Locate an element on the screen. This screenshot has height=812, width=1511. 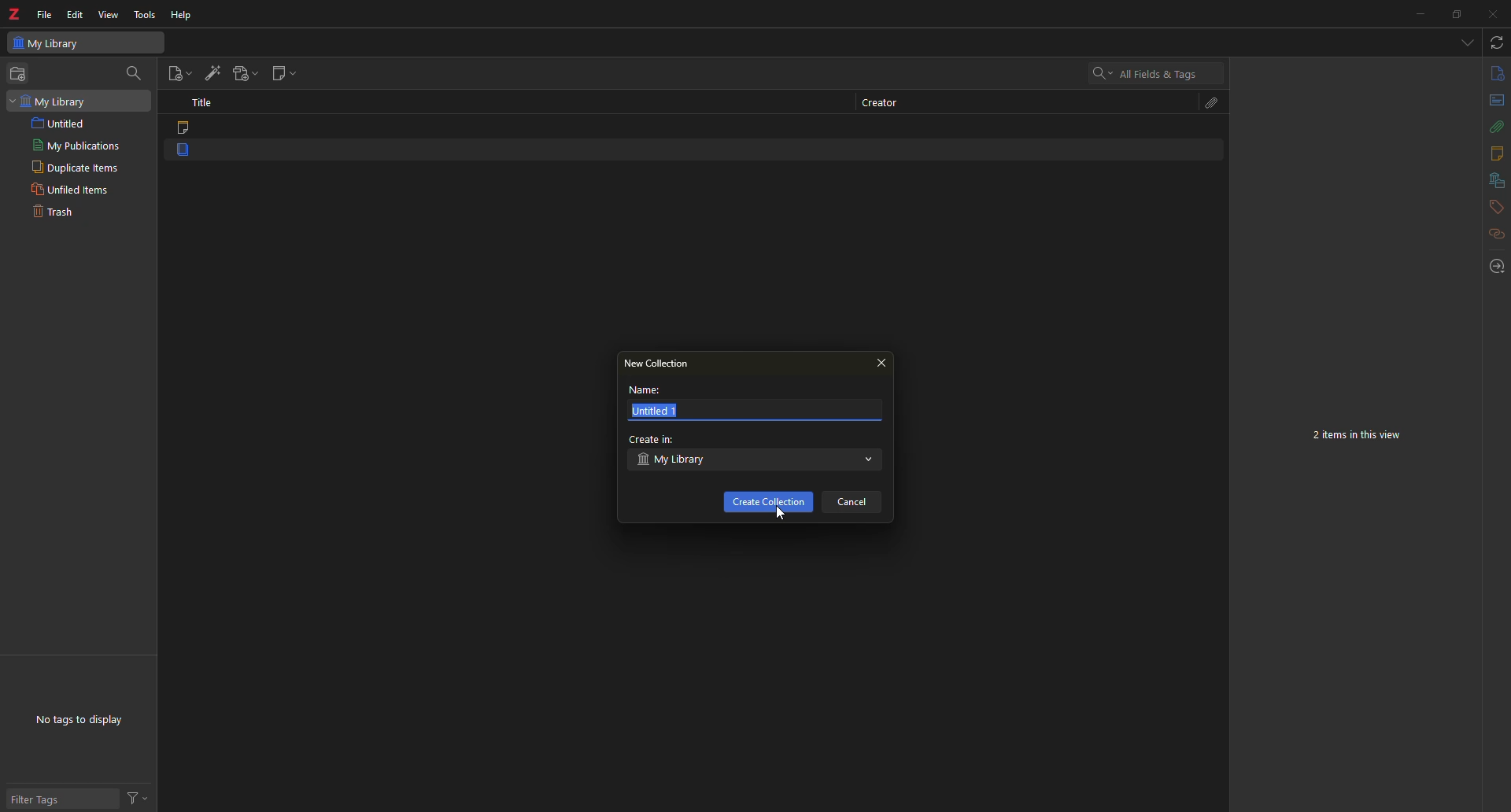
create collection is located at coordinates (768, 502).